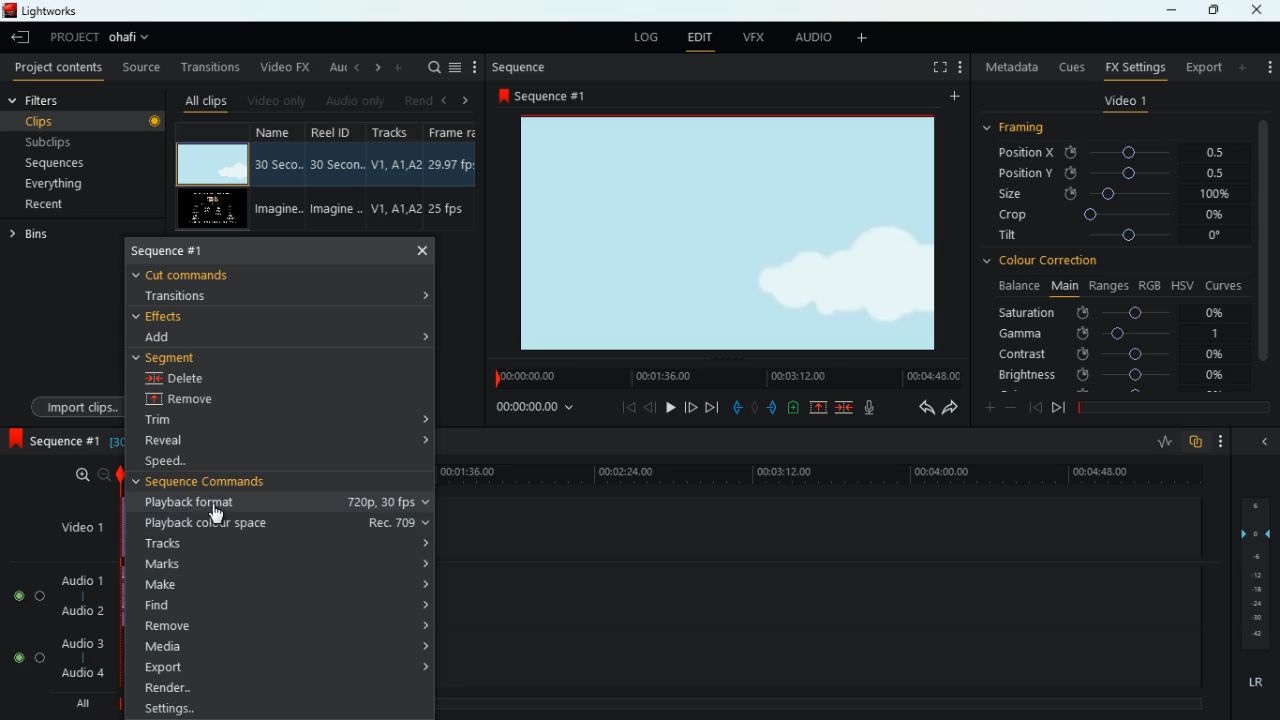  Describe the element at coordinates (1150, 285) in the screenshot. I see `rgb` at that location.